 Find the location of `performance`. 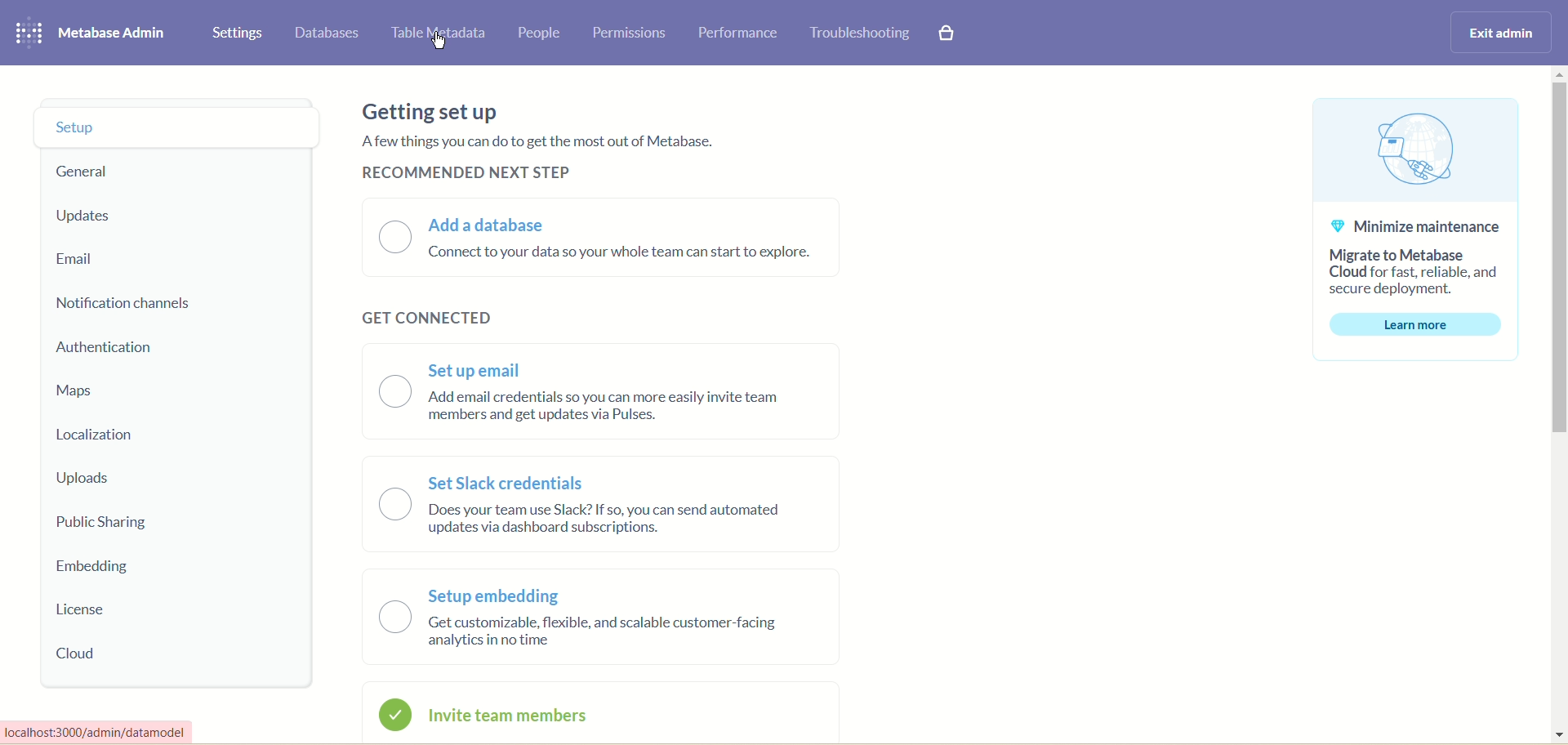

performance is located at coordinates (741, 34).